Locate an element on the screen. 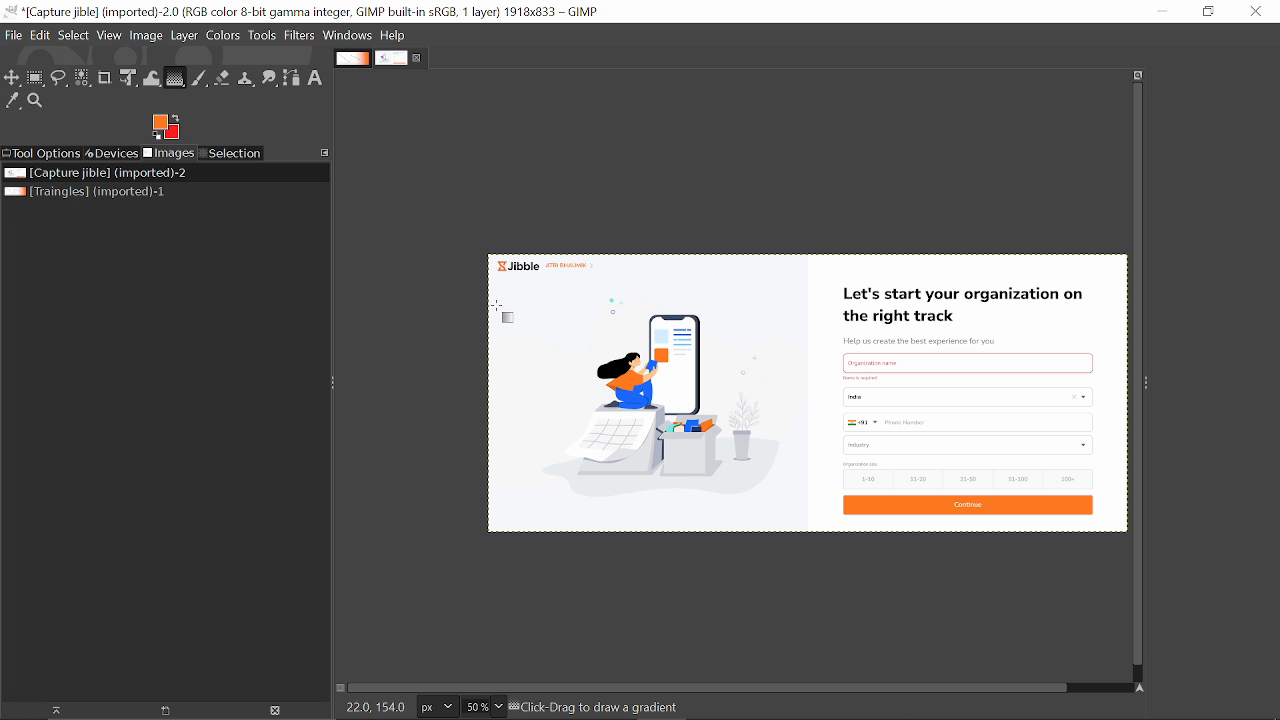 The height and width of the screenshot is (720, 1280). Other file is located at coordinates (88, 192).